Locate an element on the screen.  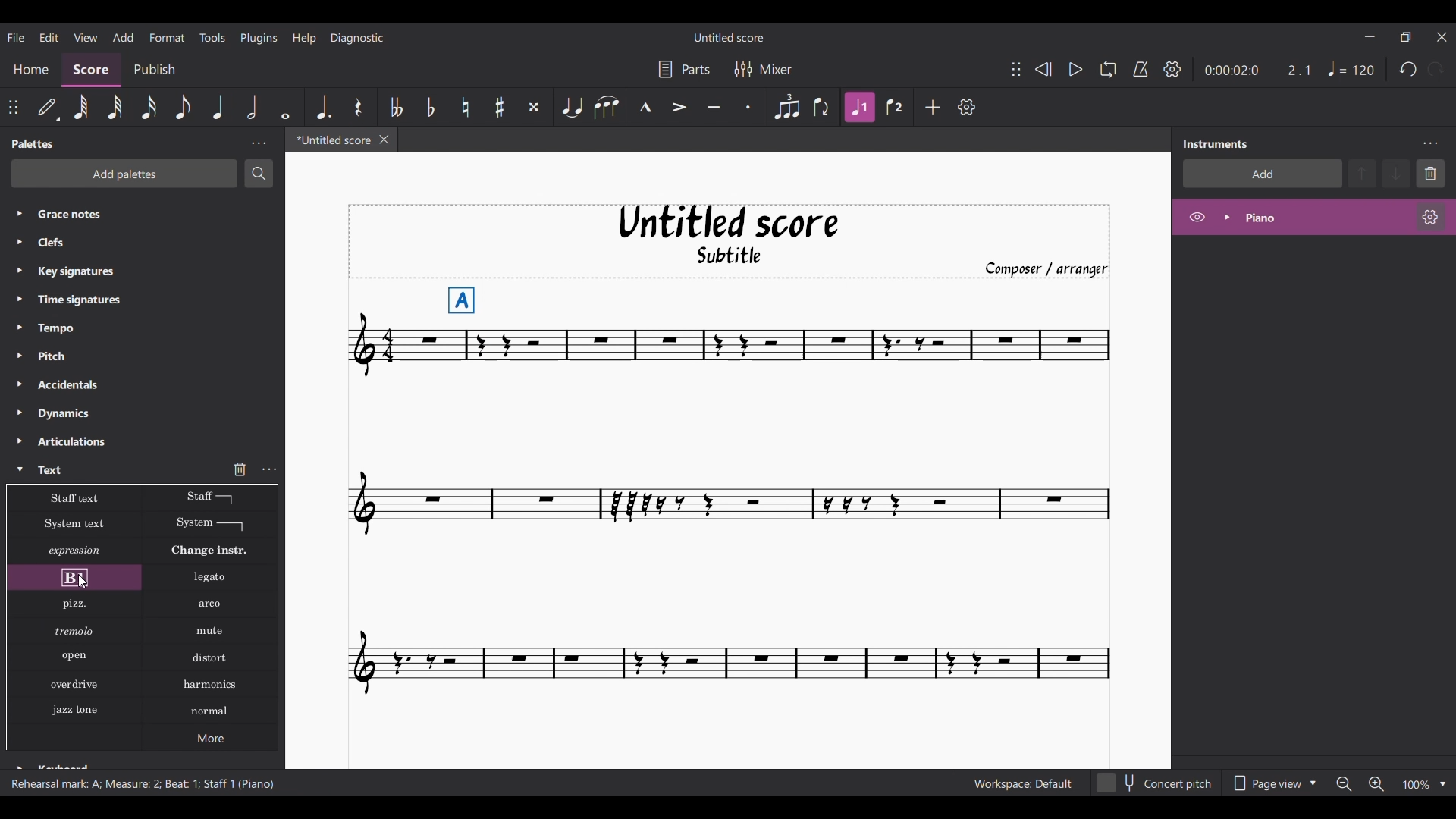
Change position of toolbar attached is located at coordinates (1016, 69).